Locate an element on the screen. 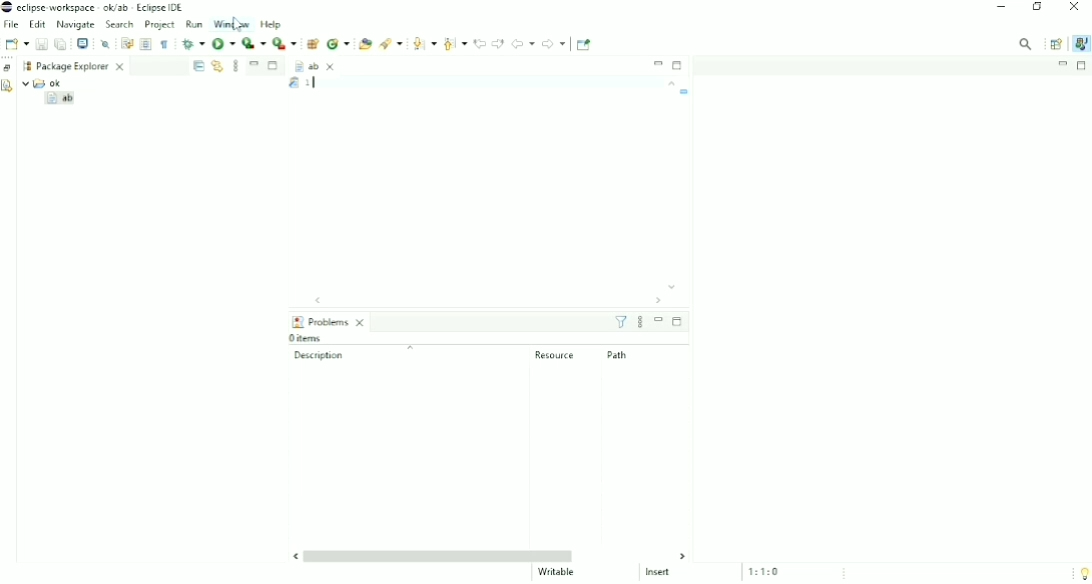 The image size is (1092, 584). Package Explorer is located at coordinates (82, 65).